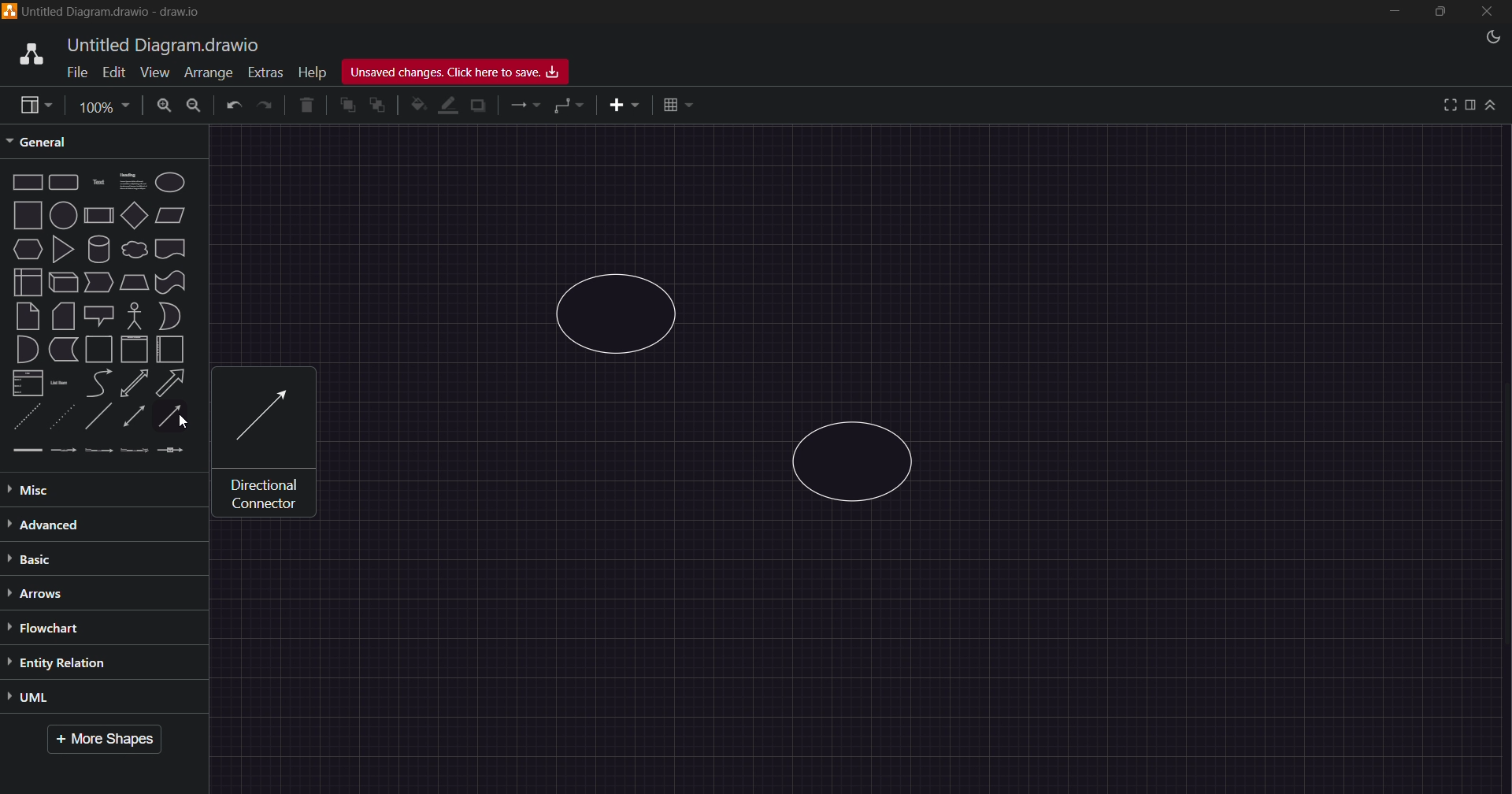  I want to click on logo, so click(28, 52).